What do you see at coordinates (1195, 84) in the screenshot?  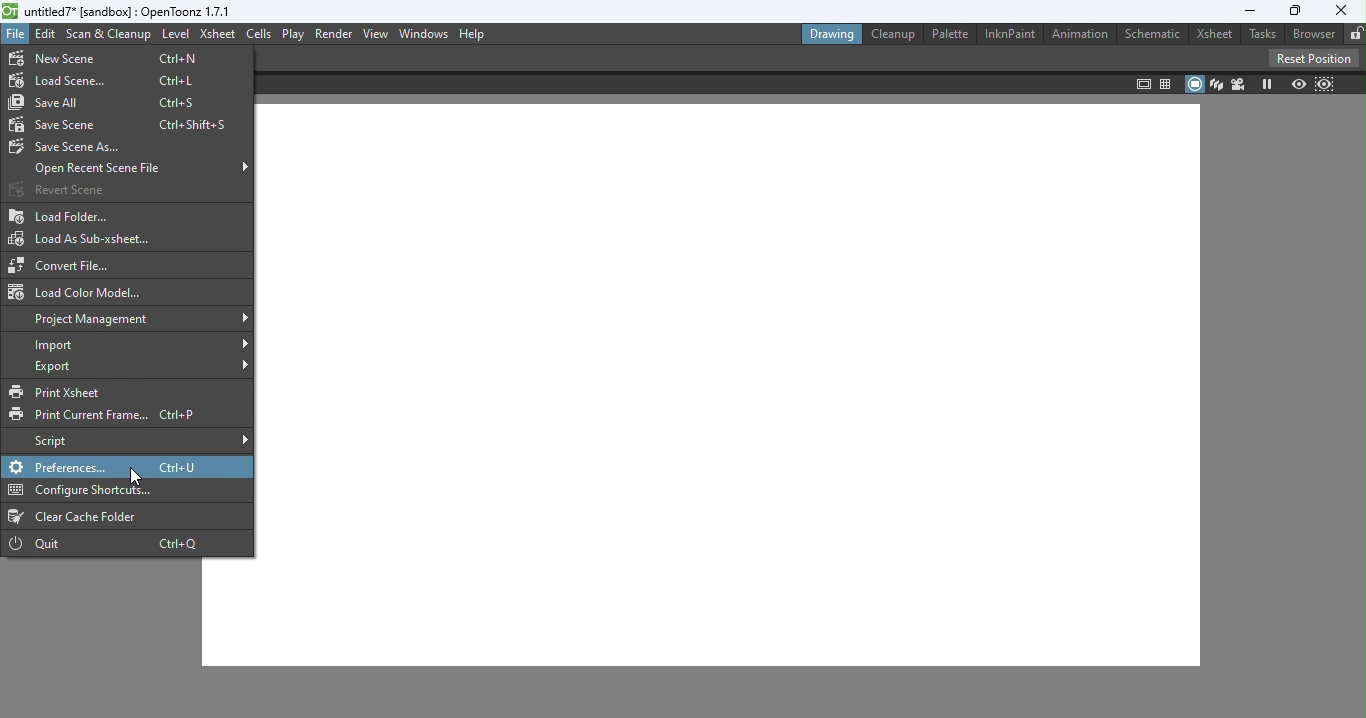 I see `Camera stand view` at bounding box center [1195, 84].